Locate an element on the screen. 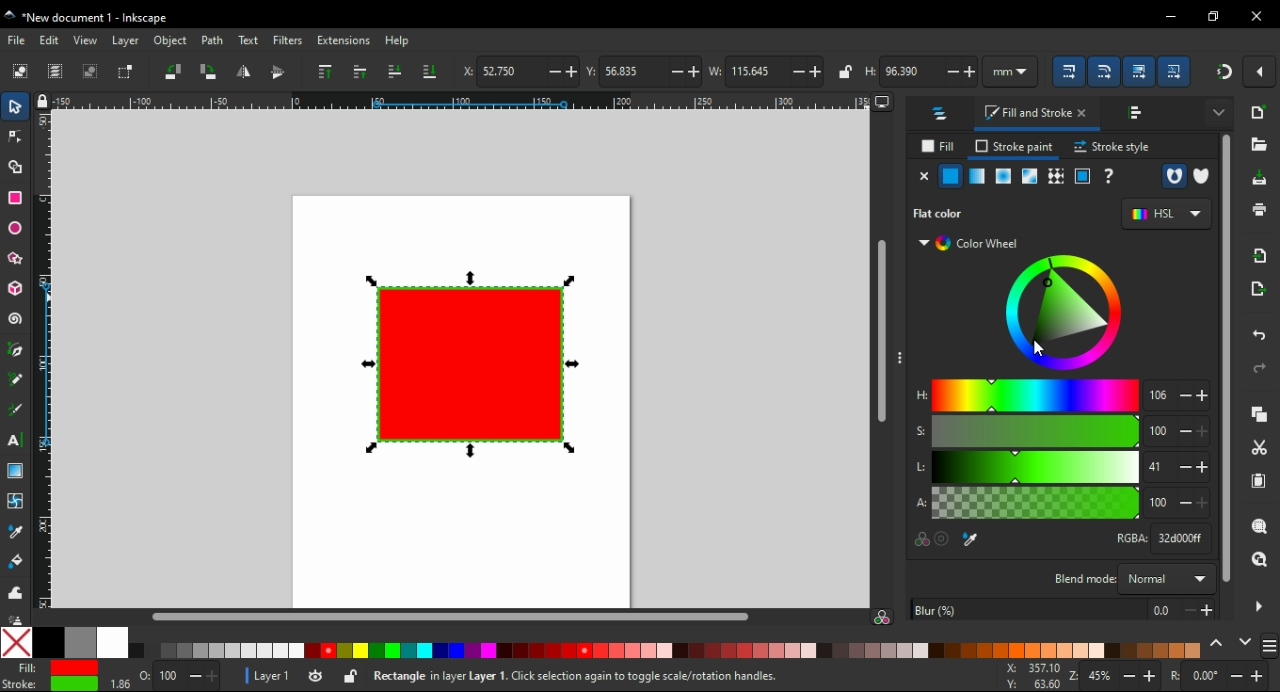 Image resolution: width=1280 pixels, height=692 pixels. increase/decrease is located at coordinates (560, 72).